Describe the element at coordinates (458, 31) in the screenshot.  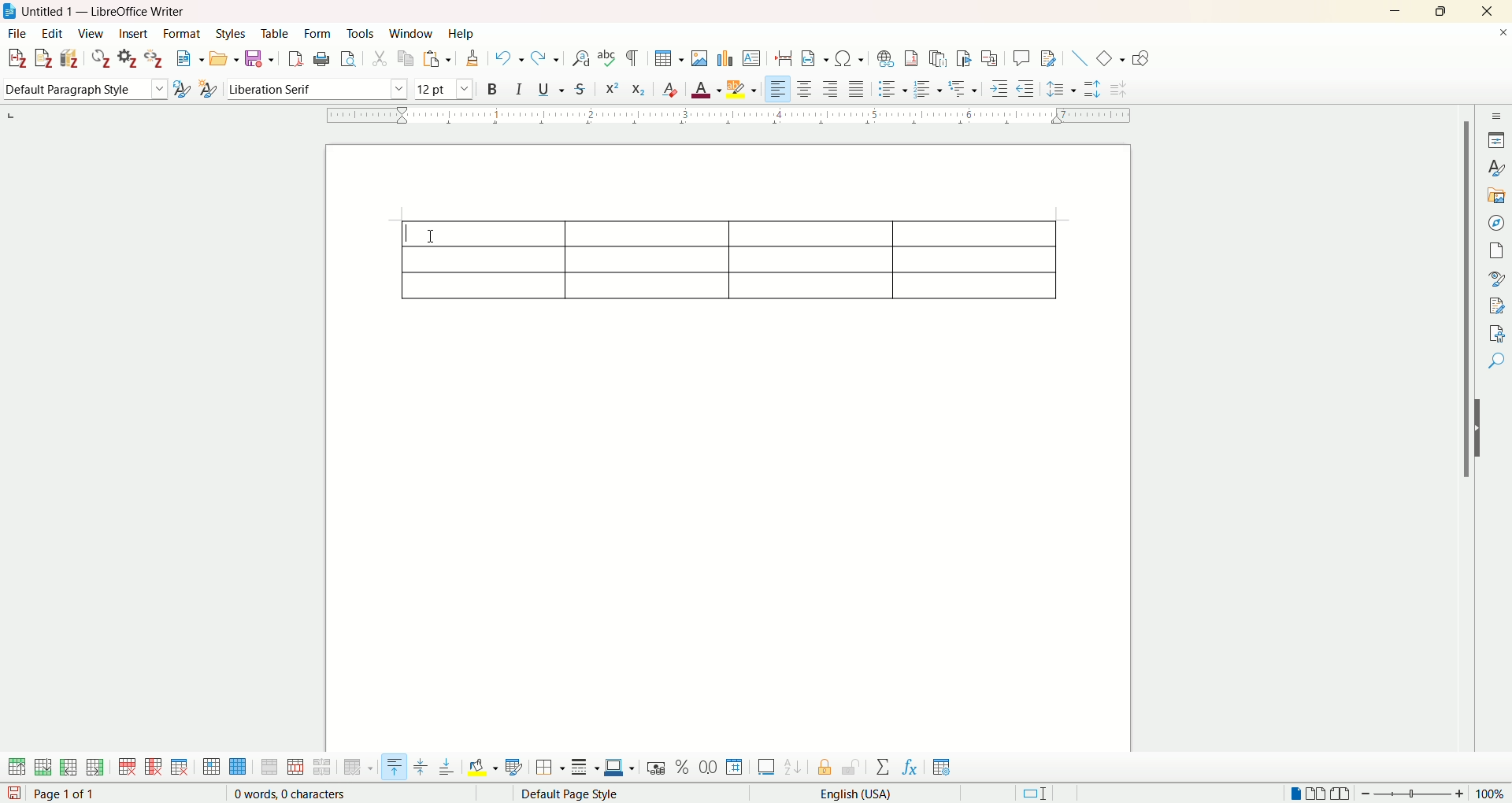
I see `help` at that location.